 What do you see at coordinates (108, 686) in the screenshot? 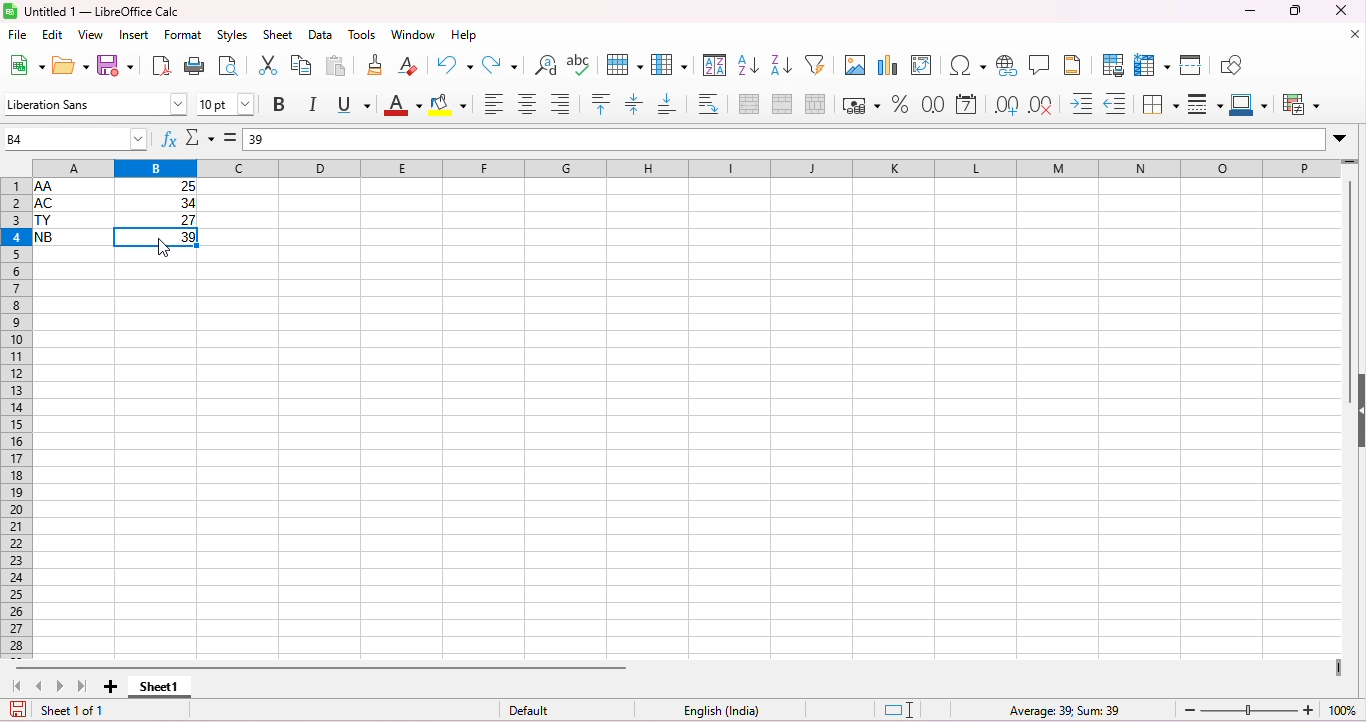
I see `add sheet1` at bounding box center [108, 686].